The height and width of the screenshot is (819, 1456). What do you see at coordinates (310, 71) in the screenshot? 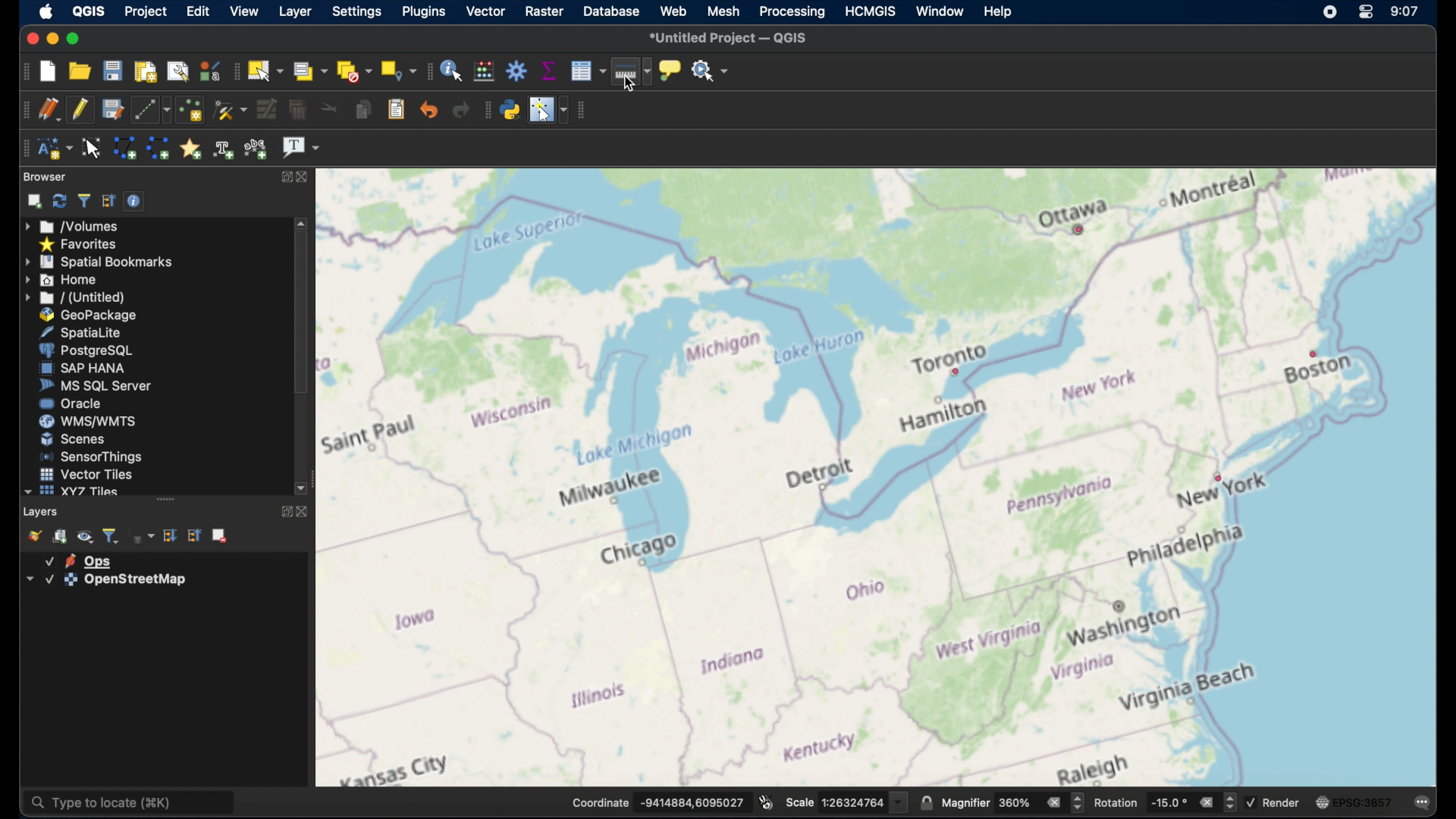
I see `select features by value` at bounding box center [310, 71].